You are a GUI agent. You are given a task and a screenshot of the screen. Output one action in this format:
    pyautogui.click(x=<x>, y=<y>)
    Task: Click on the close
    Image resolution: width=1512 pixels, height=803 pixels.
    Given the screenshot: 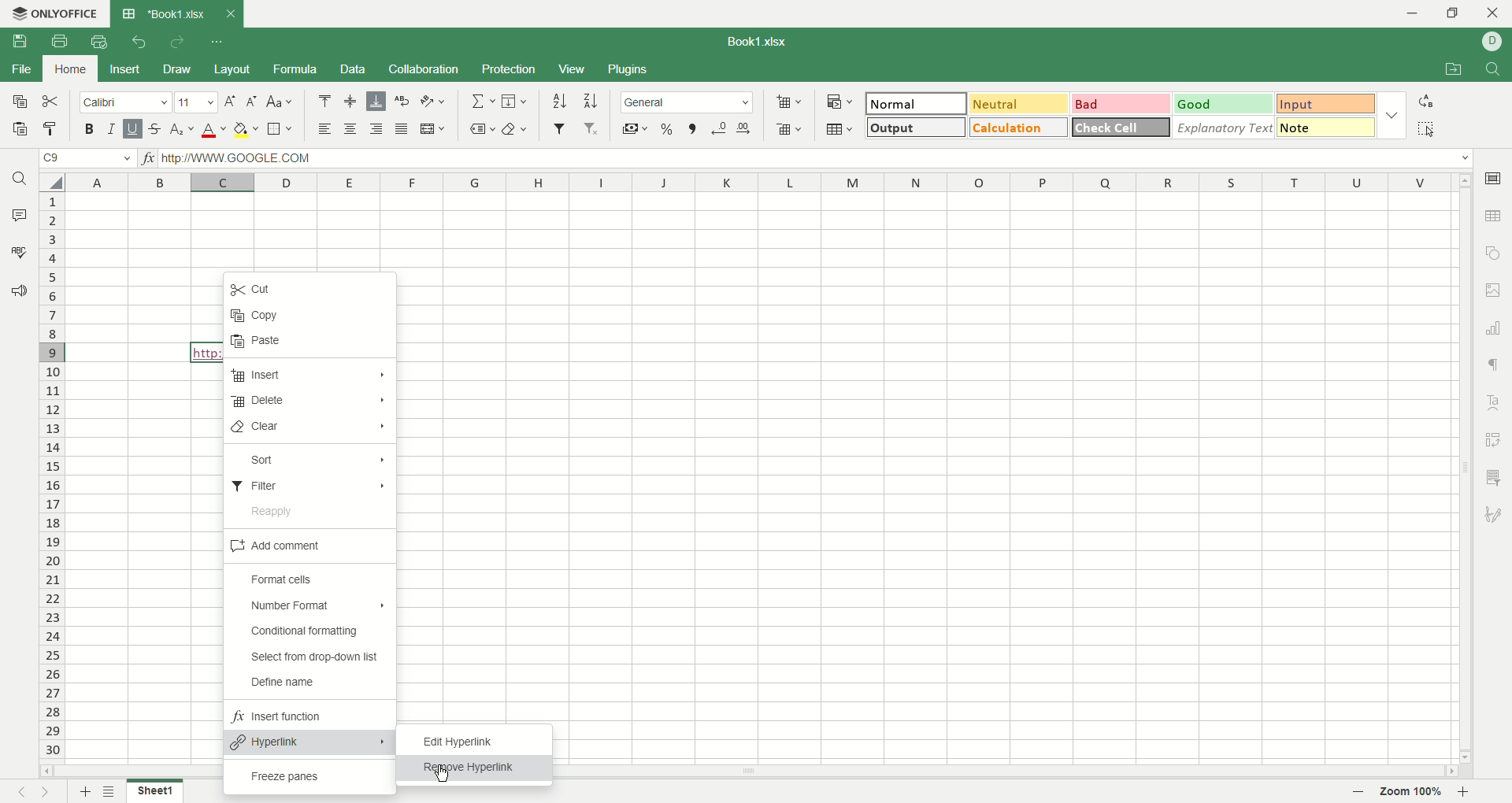 What is the action you would take?
    pyautogui.click(x=1493, y=13)
    